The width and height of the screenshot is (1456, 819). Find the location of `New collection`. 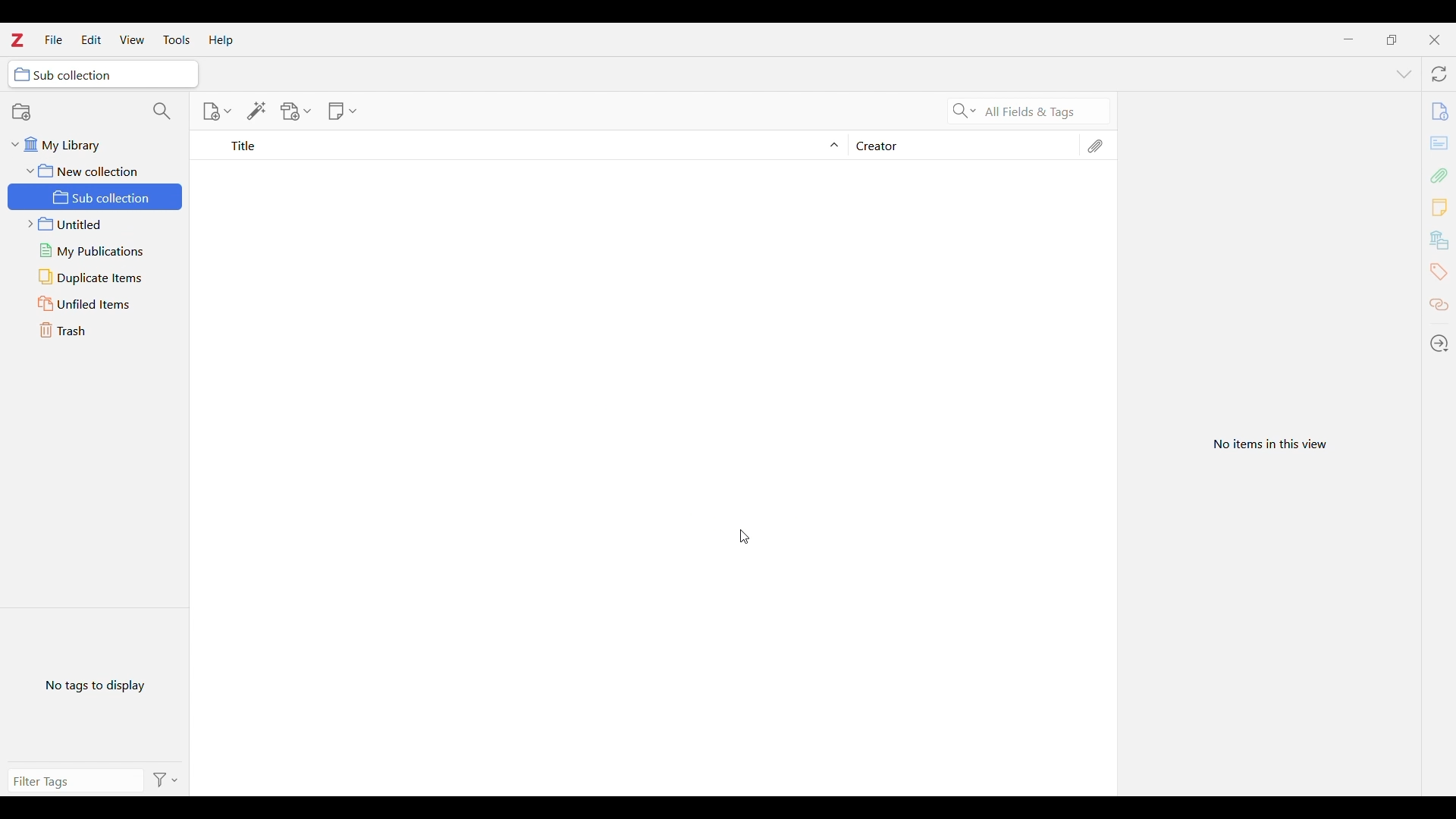

New collection is located at coordinates (22, 112).